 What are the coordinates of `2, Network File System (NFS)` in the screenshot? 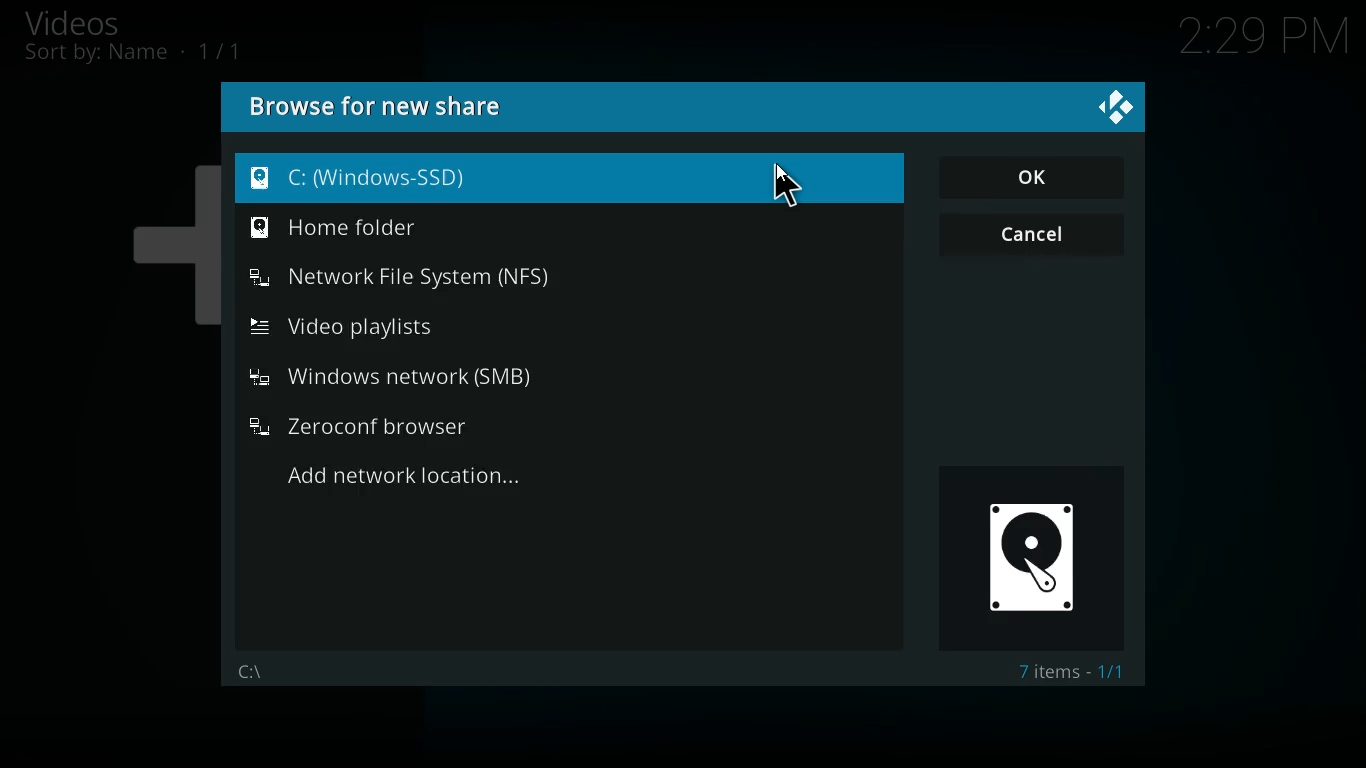 It's located at (402, 279).